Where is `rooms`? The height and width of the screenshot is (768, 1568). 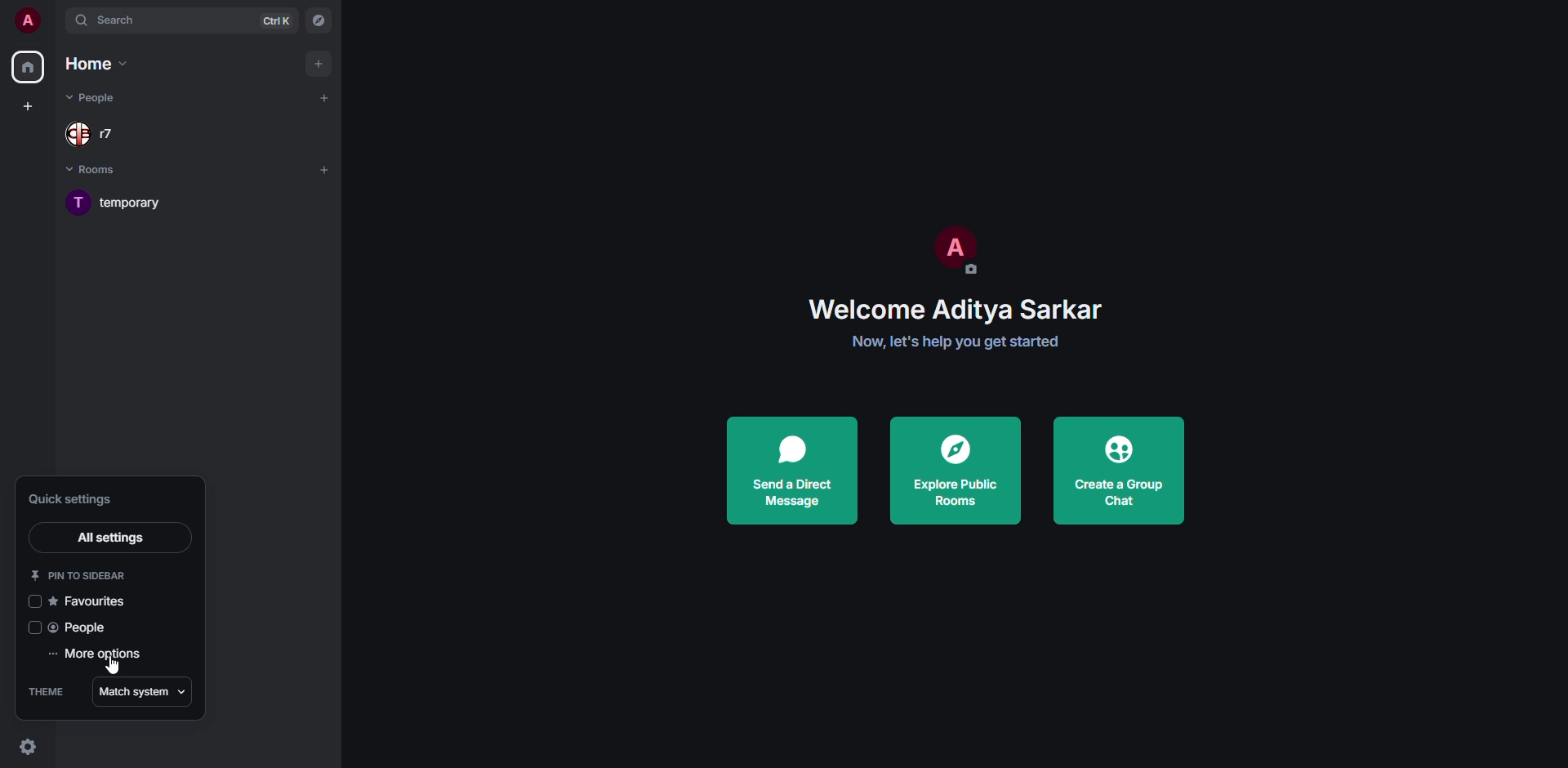
rooms is located at coordinates (98, 172).